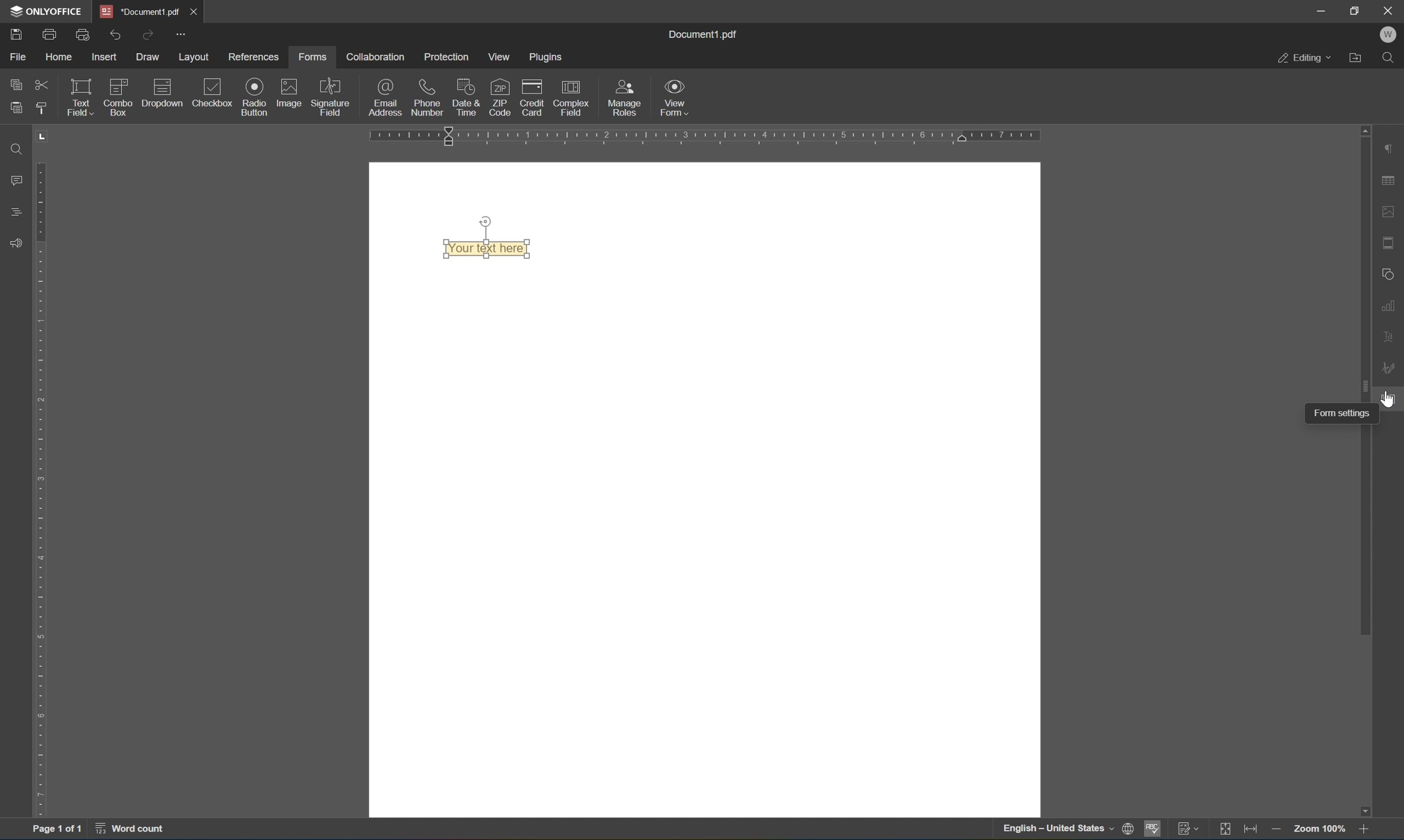  Describe the element at coordinates (1278, 832) in the screenshot. I see `zoom out` at that location.